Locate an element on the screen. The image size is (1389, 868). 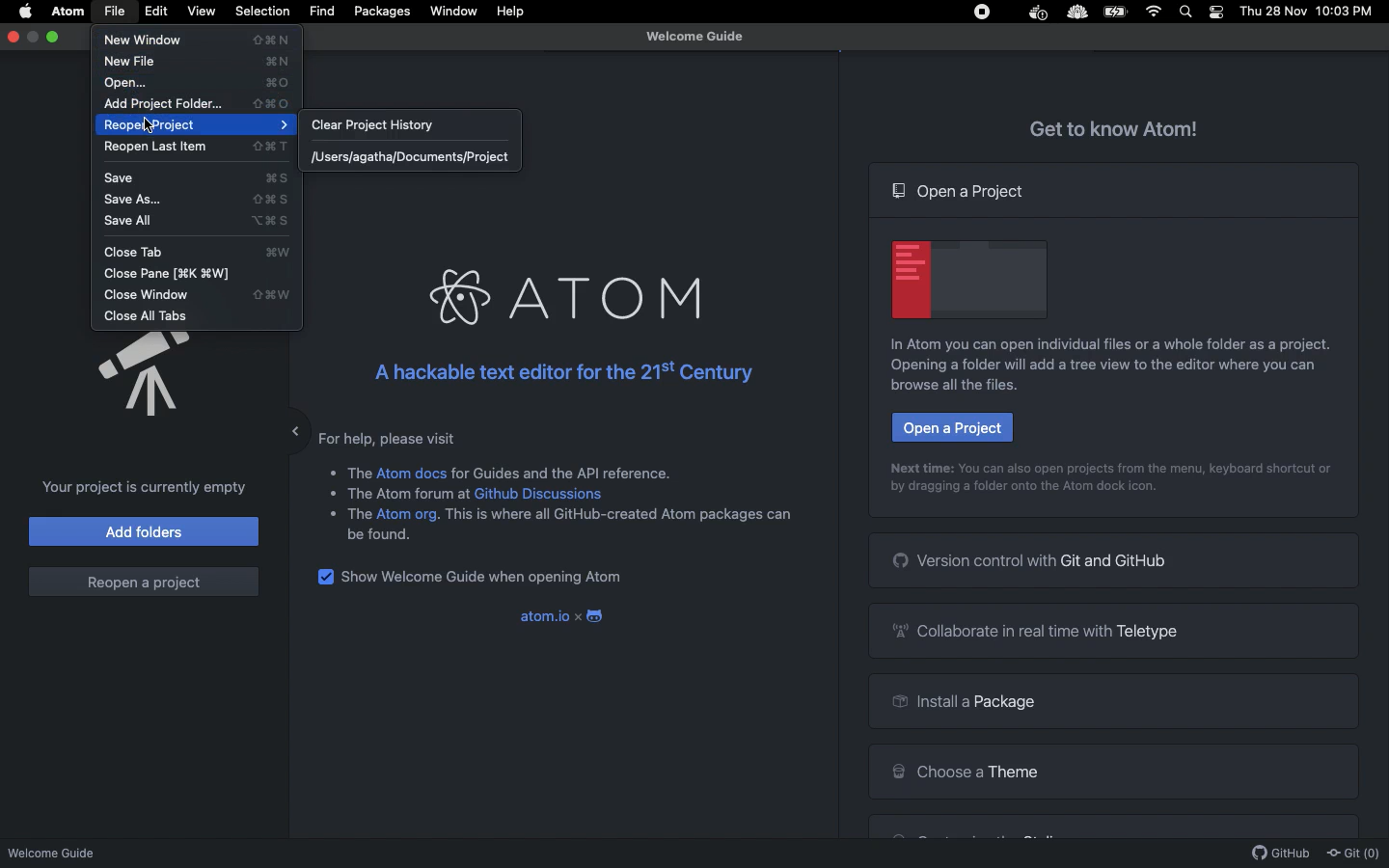
Git is located at coordinates (1352, 854).